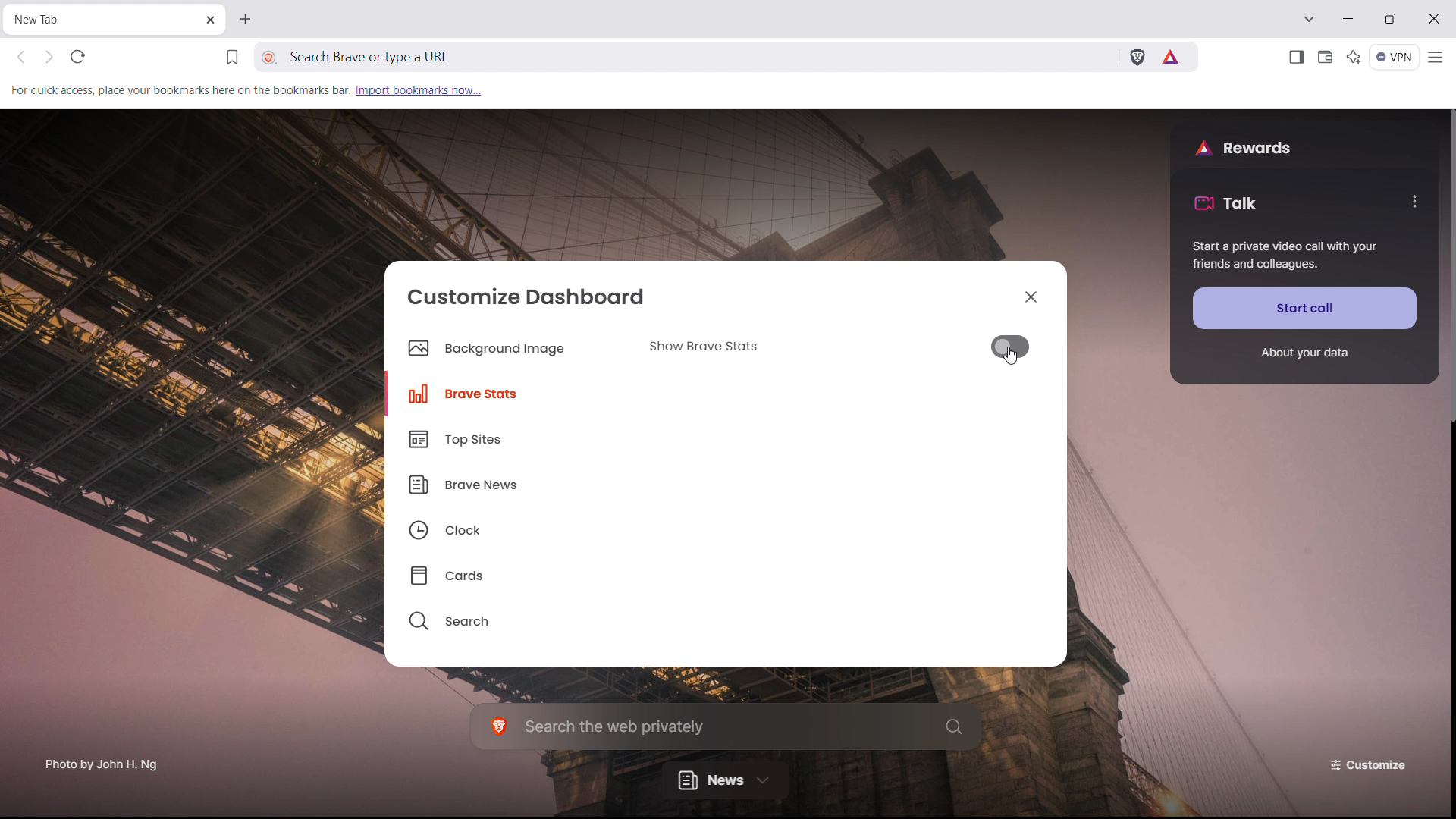 This screenshot has width=1456, height=819. I want to click on rewards, so click(1243, 146).